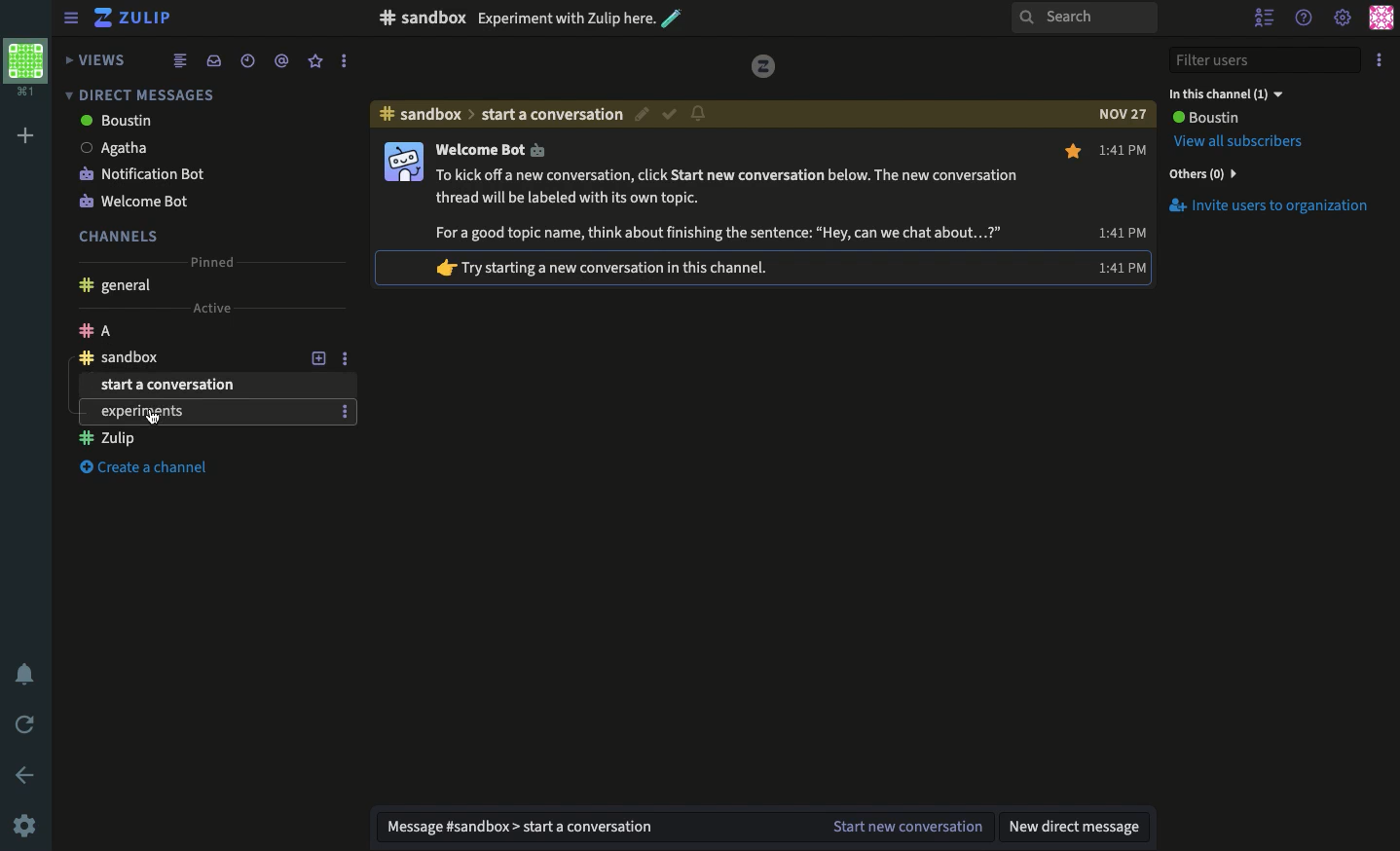 This screenshot has width=1400, height=851. What do you see at coordinates (1342, 19) in the screenshot?
I see `Settings ` at bounding box center [1342, 19].